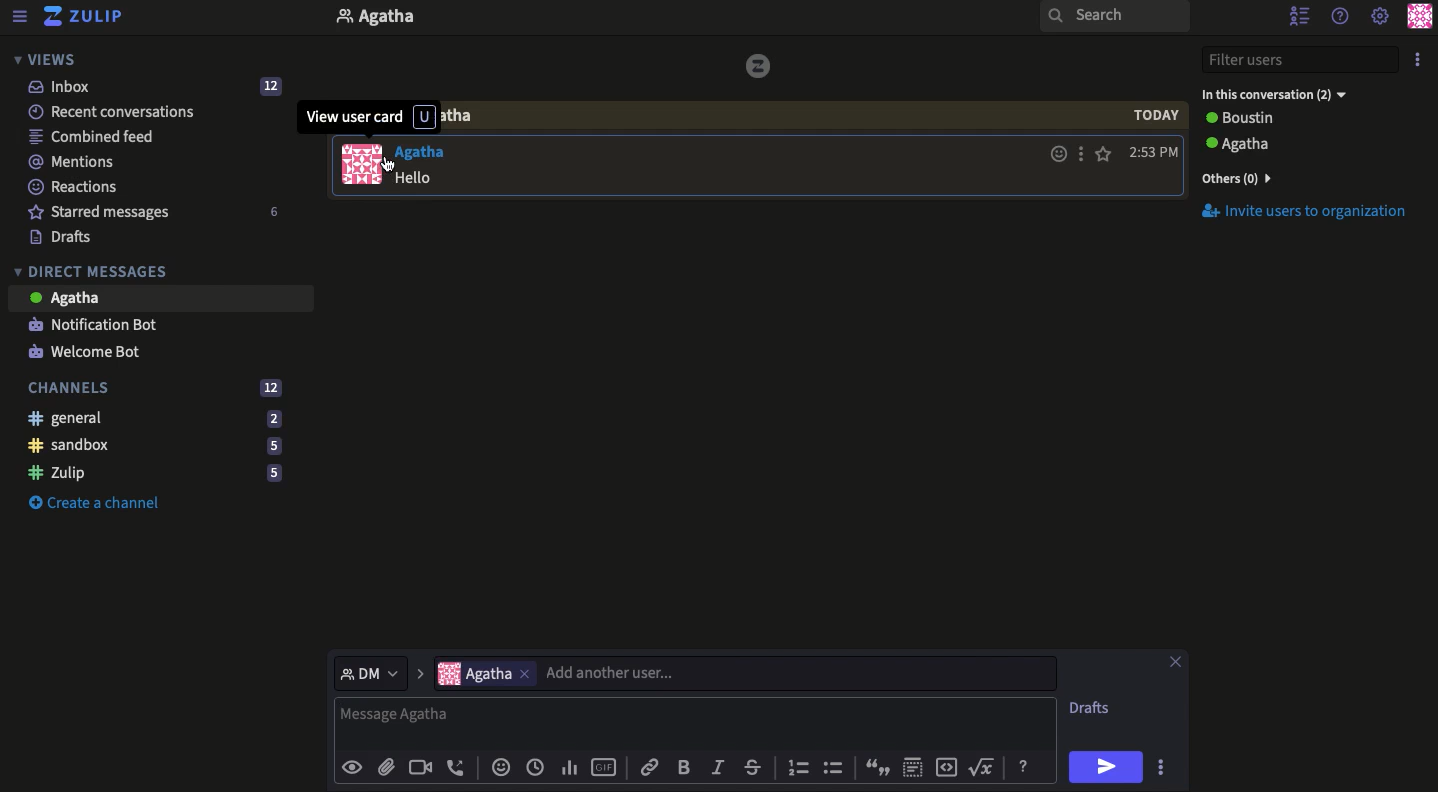  I want to click on Message, so click(439, 180).